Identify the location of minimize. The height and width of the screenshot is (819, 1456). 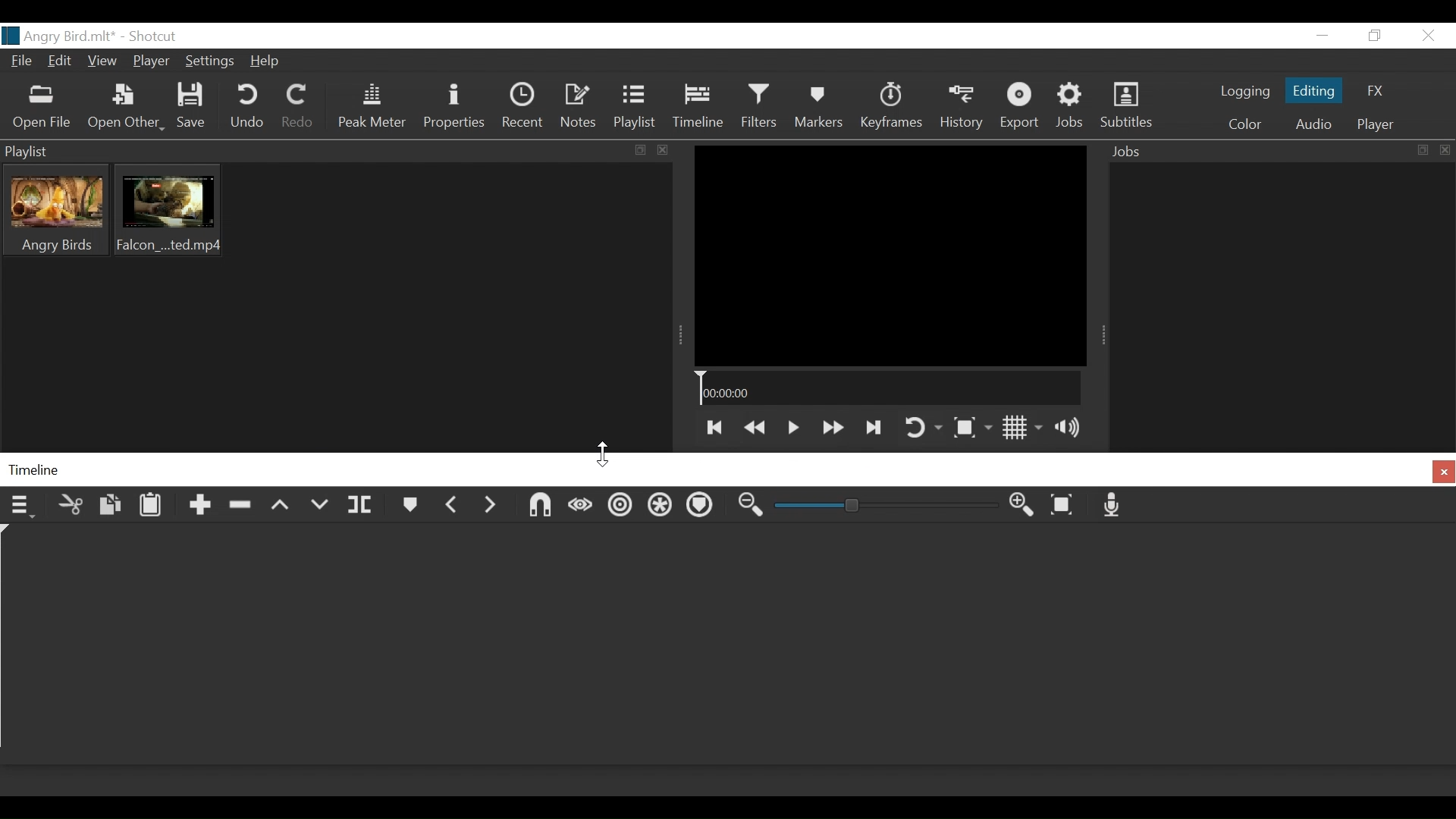
(1323, 36).